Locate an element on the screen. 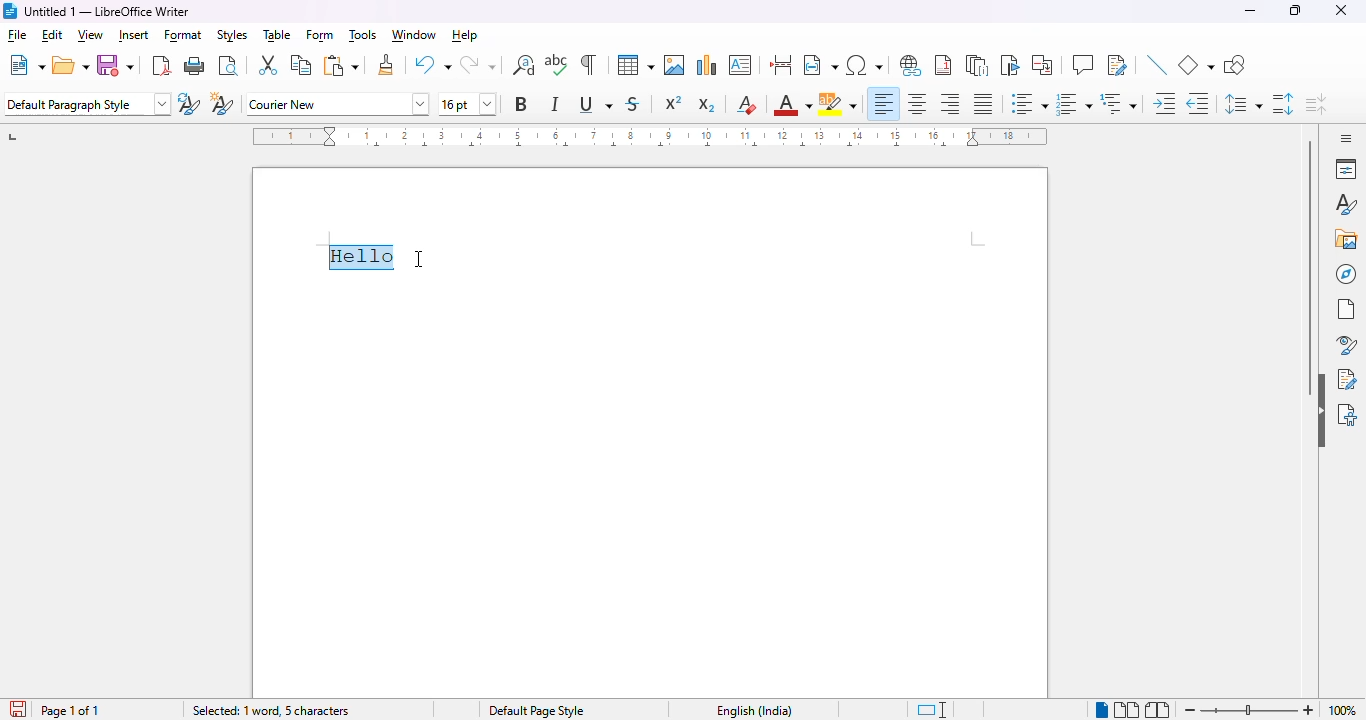 This screenshot has height=720, width=1366. insert page break is located at coordinates (780, 64).